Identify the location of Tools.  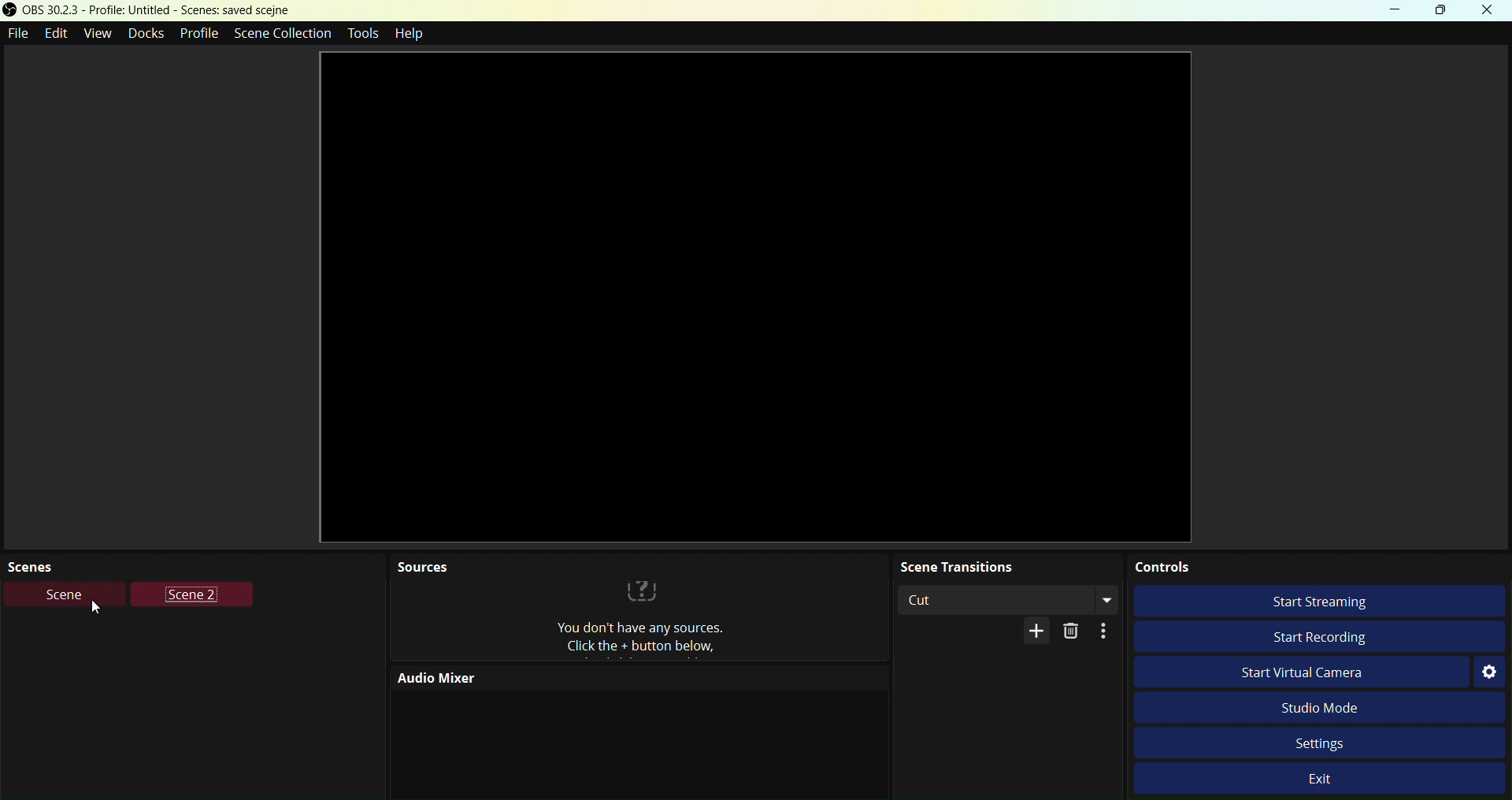
(362, 33).